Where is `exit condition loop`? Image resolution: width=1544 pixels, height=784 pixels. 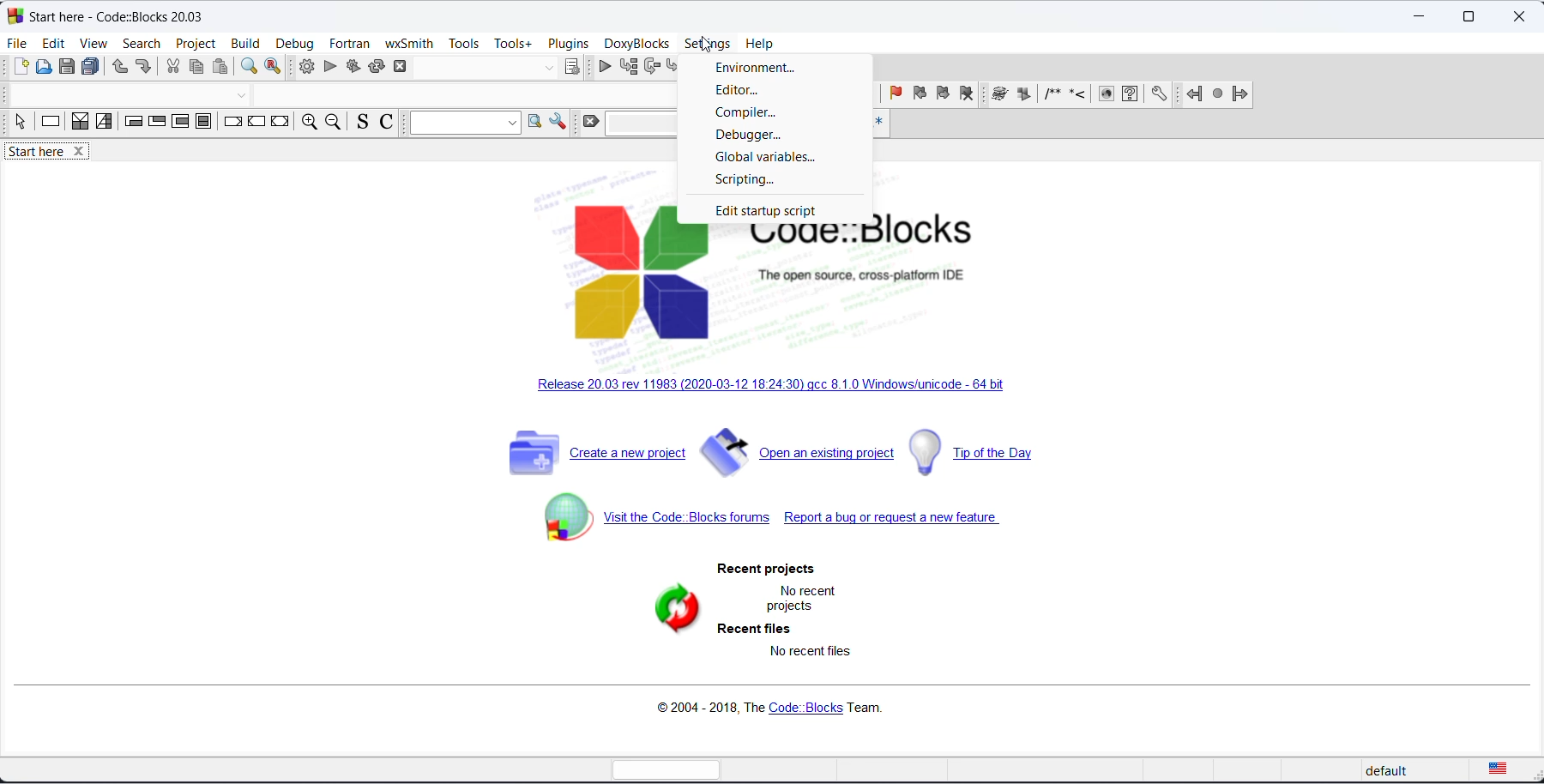
exit condition loop is located at coordinates (158, 121).